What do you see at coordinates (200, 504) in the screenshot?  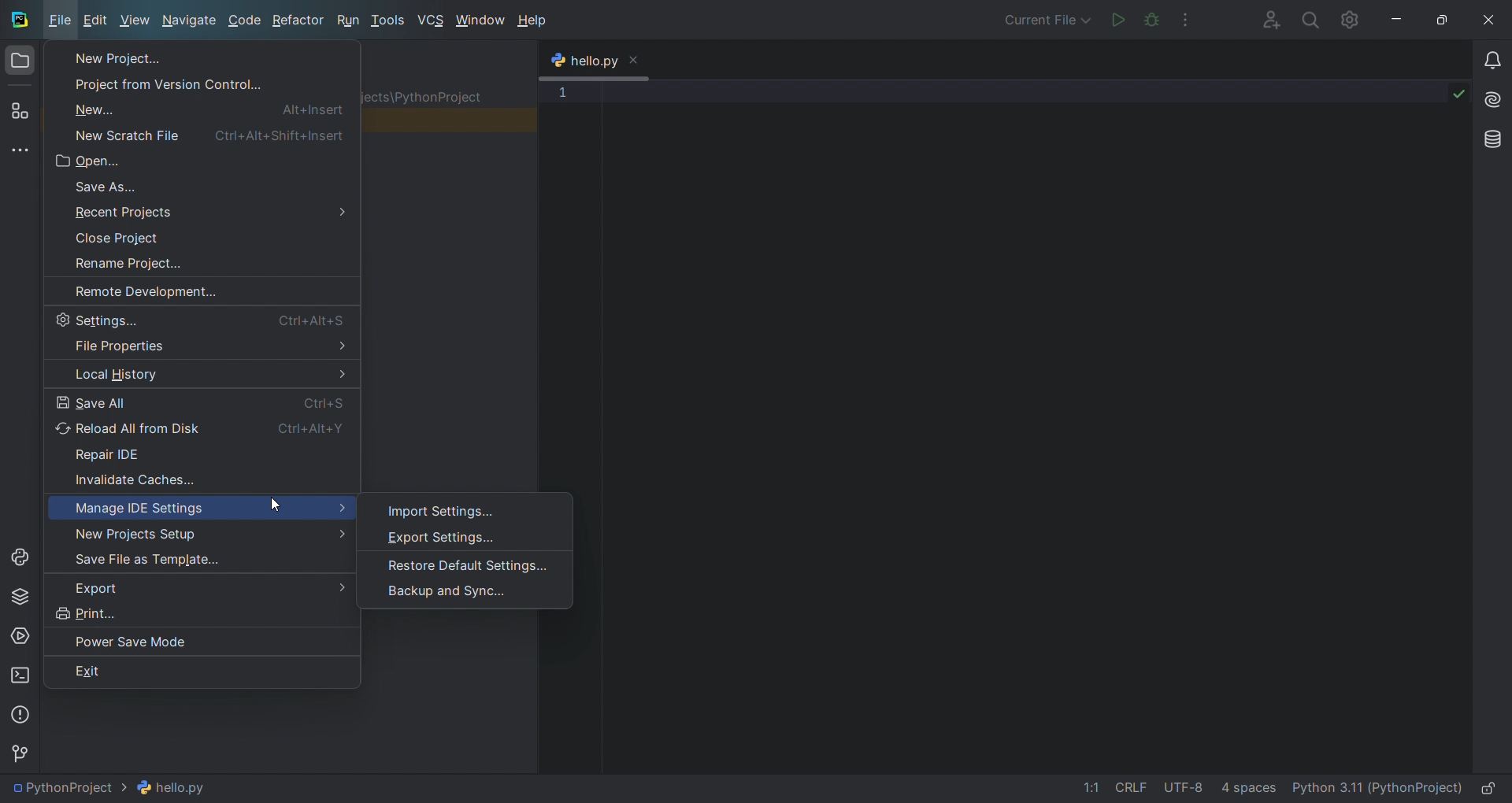 I see `manage ide settings` at bounding box center [200, 504].